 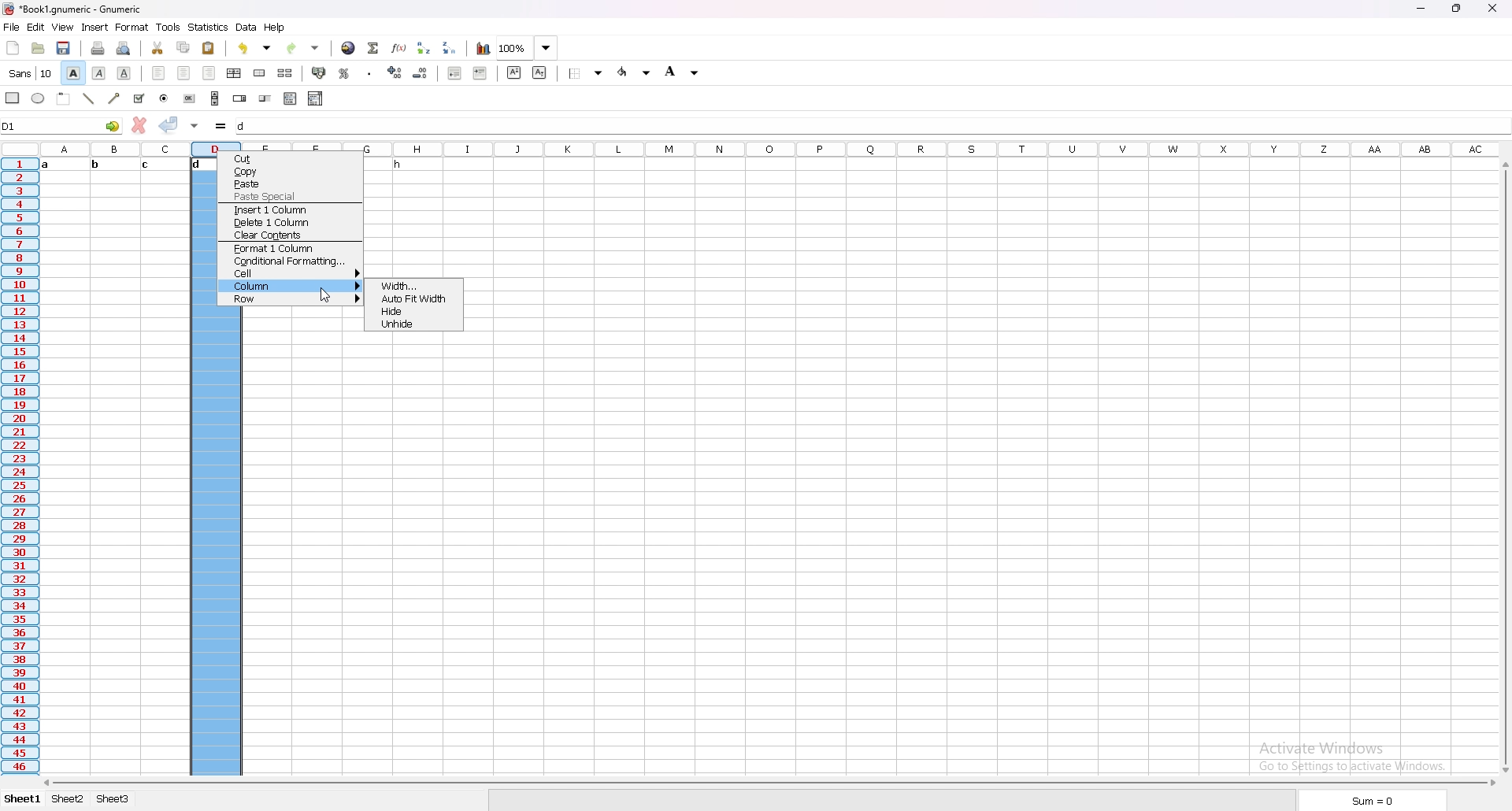 What do you see at coordinates (158, 47) in the screenshot?
I see `cut` at bounding box center [158, 47].